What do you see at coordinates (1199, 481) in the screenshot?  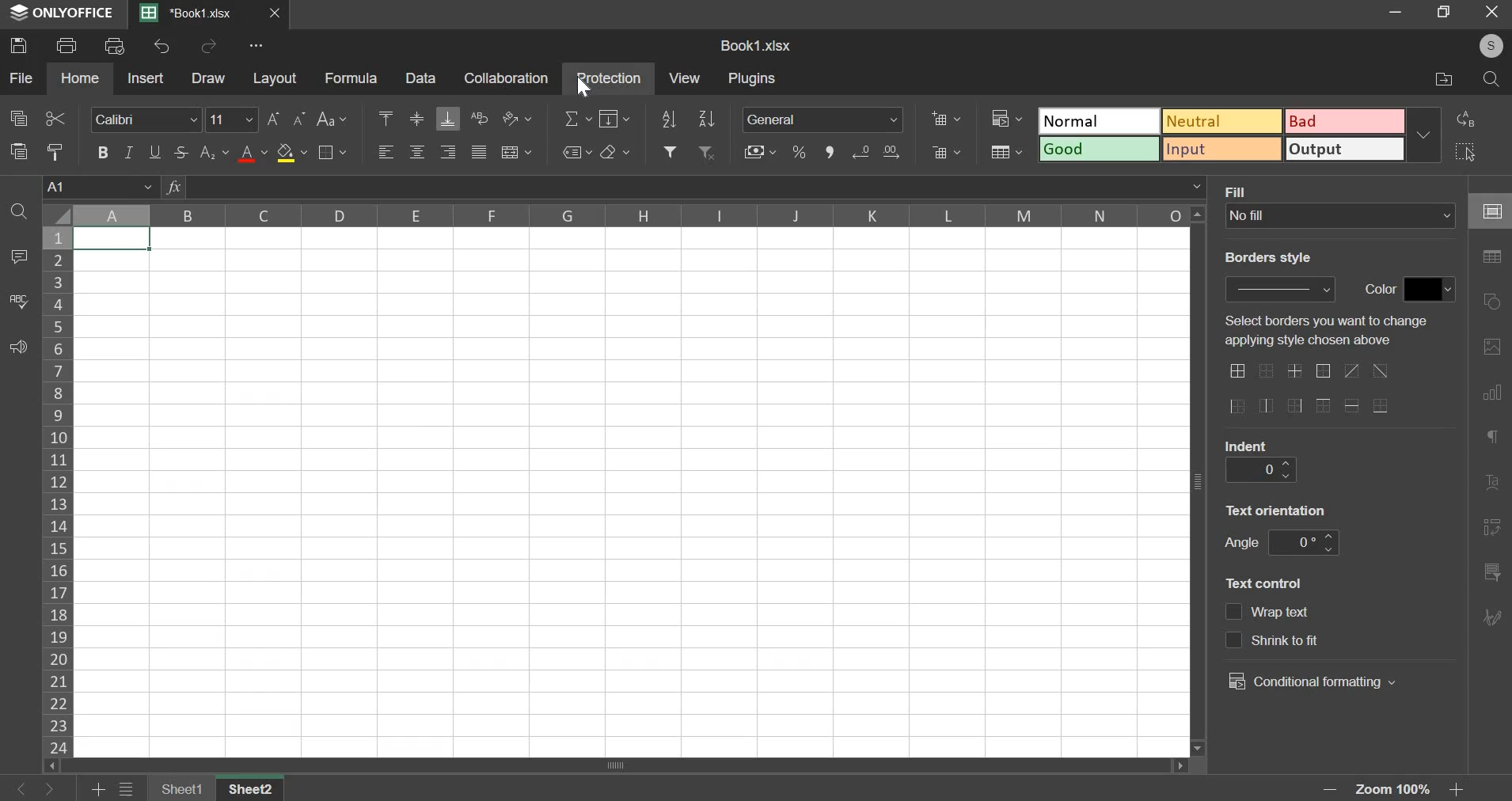 I see `Scroll bar` at bounding box center [1199, 481].